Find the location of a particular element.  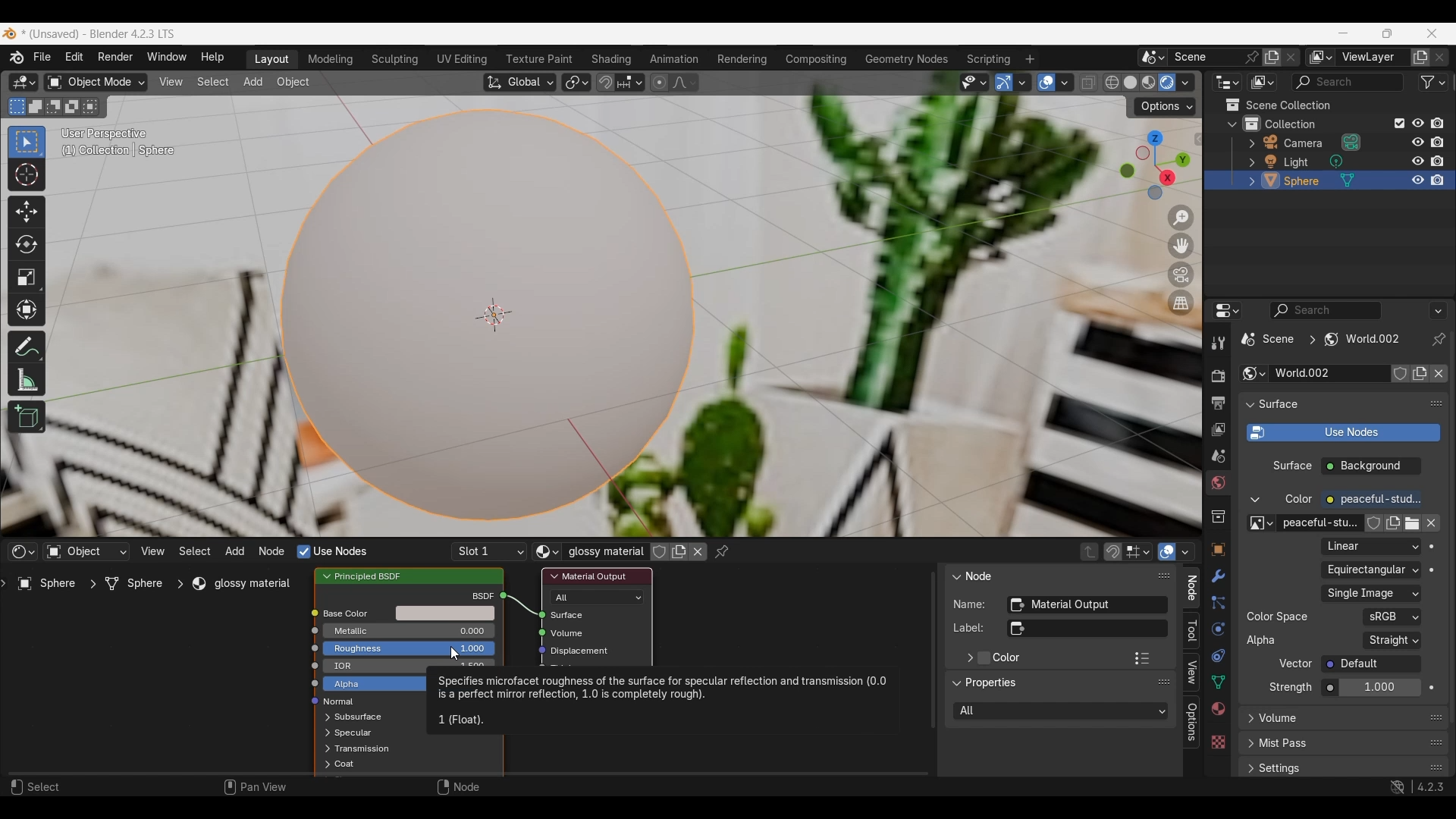

peaceful-stu.. is located at coordinates (1320, 523).